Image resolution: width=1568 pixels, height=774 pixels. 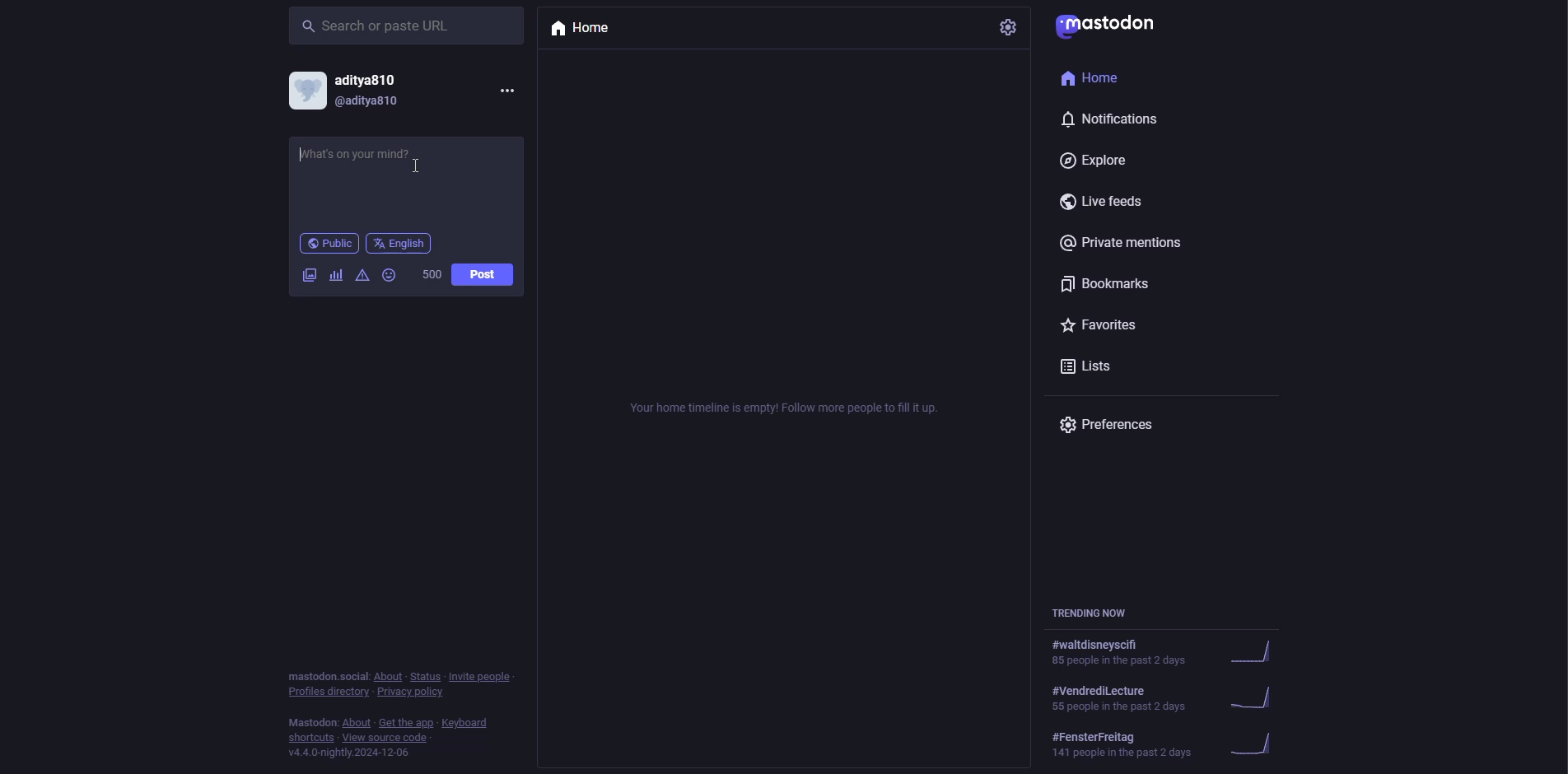 I want to click on preferences, so click(x=1112, y=427).